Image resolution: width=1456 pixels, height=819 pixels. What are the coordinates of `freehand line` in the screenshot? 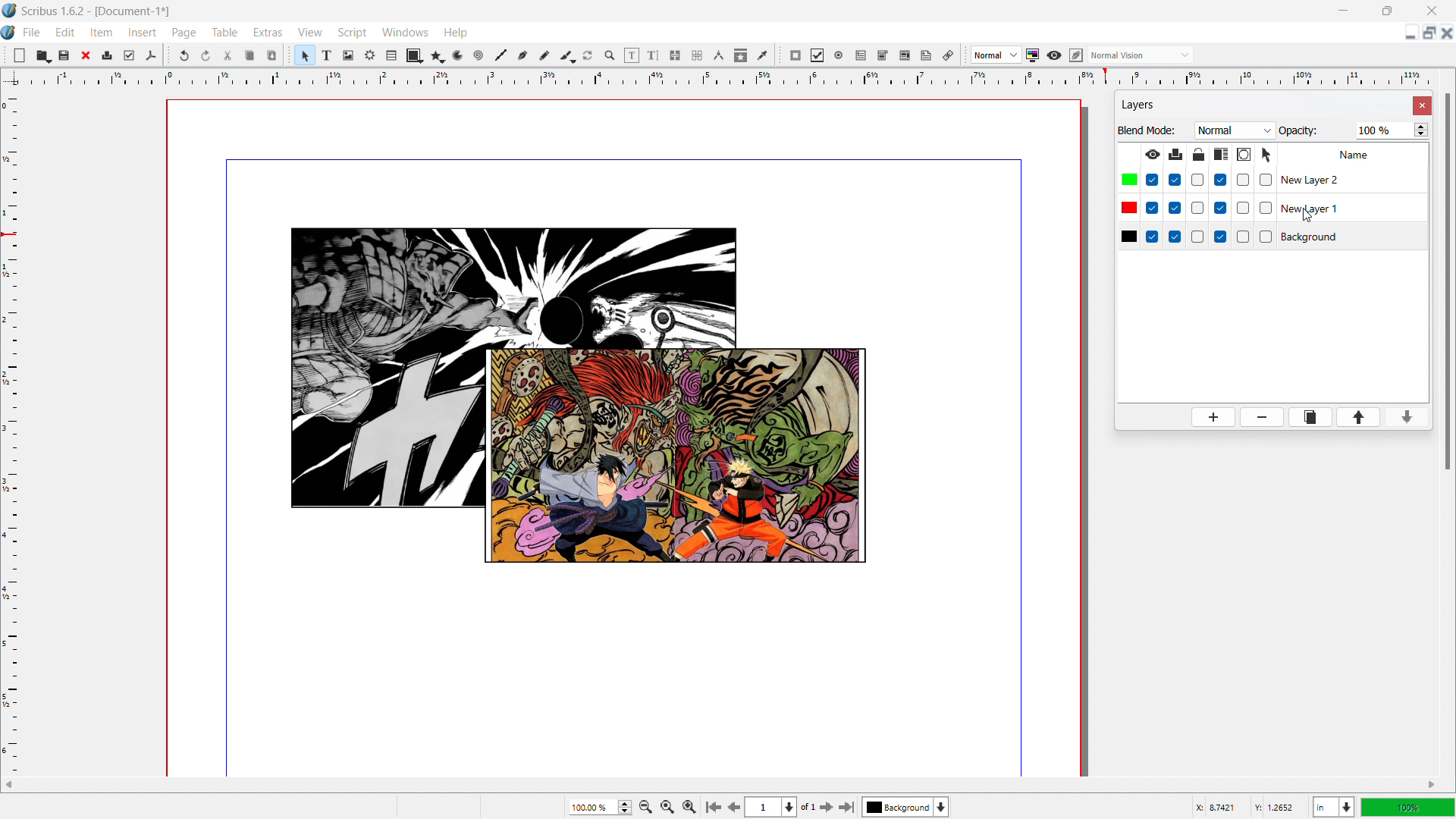 It's located at (544, 56).